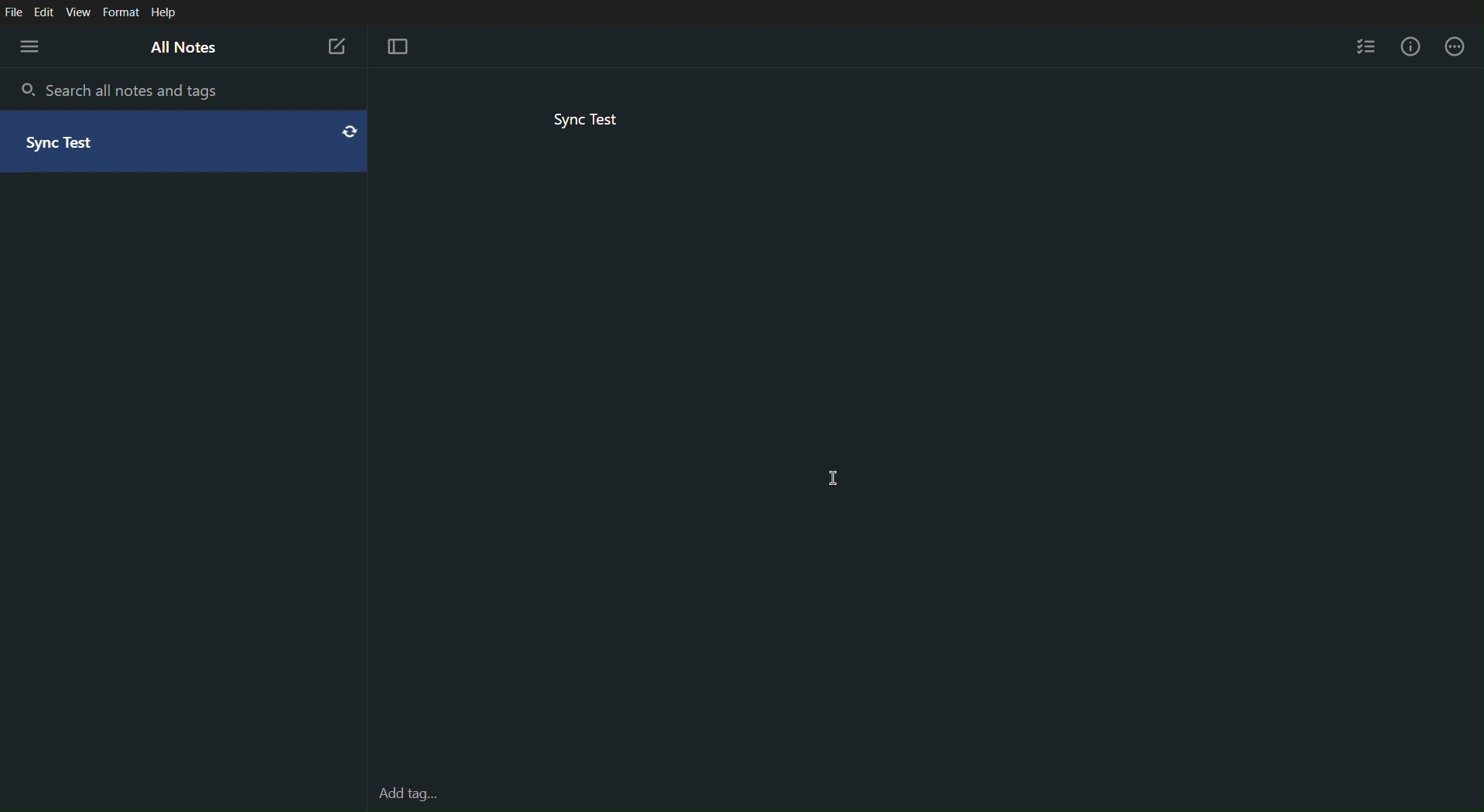 The width and height of the screenshot is (1484, 812). What do you see at coordinates (166, 12) in the screenshot?
I see `Help` at bounding box center [166, 12].